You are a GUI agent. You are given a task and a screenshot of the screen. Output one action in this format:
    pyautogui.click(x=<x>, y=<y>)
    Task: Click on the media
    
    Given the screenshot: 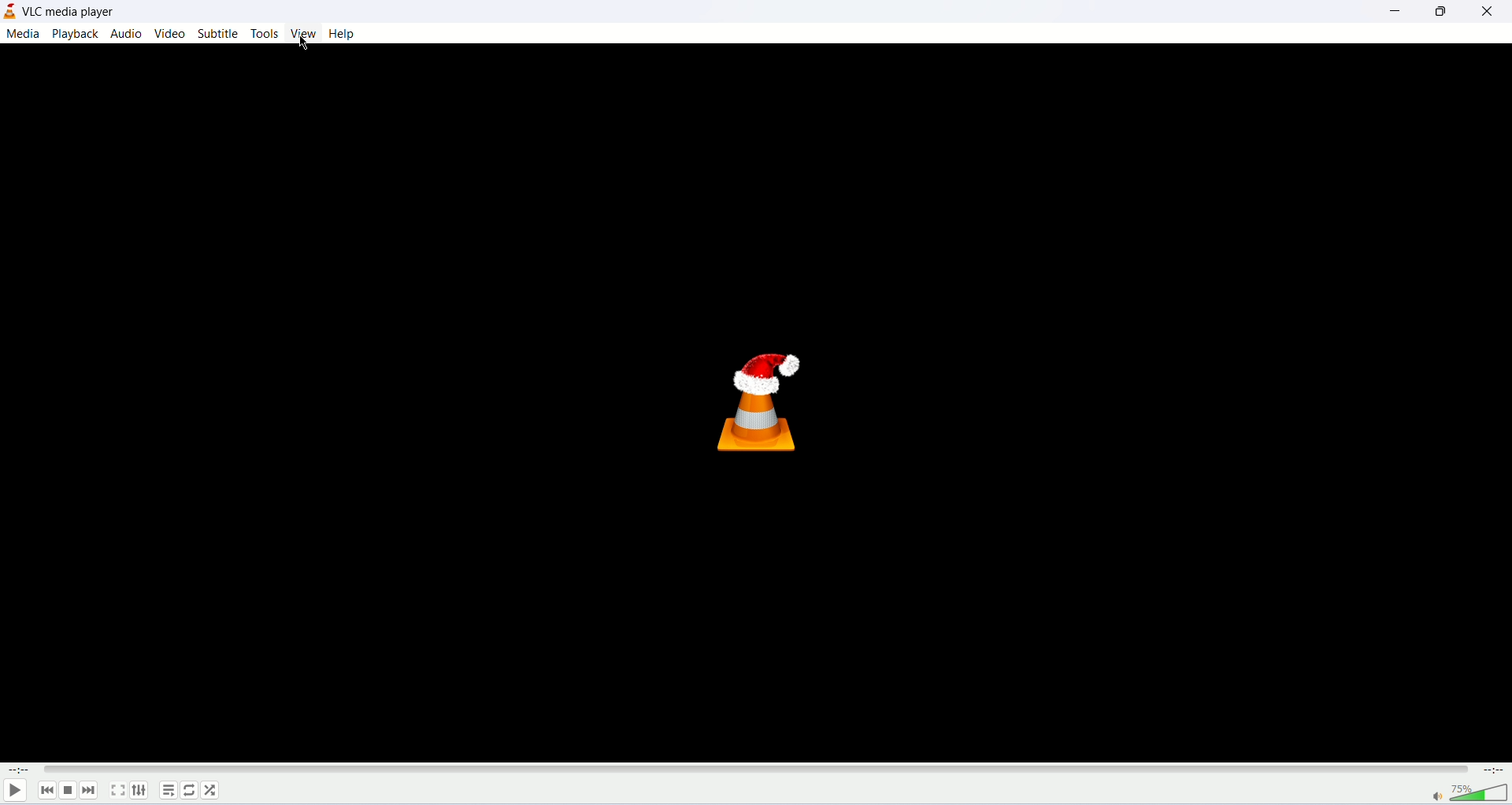 What is the action you would take?
    pyautogui.click(x=23, y=35)
    